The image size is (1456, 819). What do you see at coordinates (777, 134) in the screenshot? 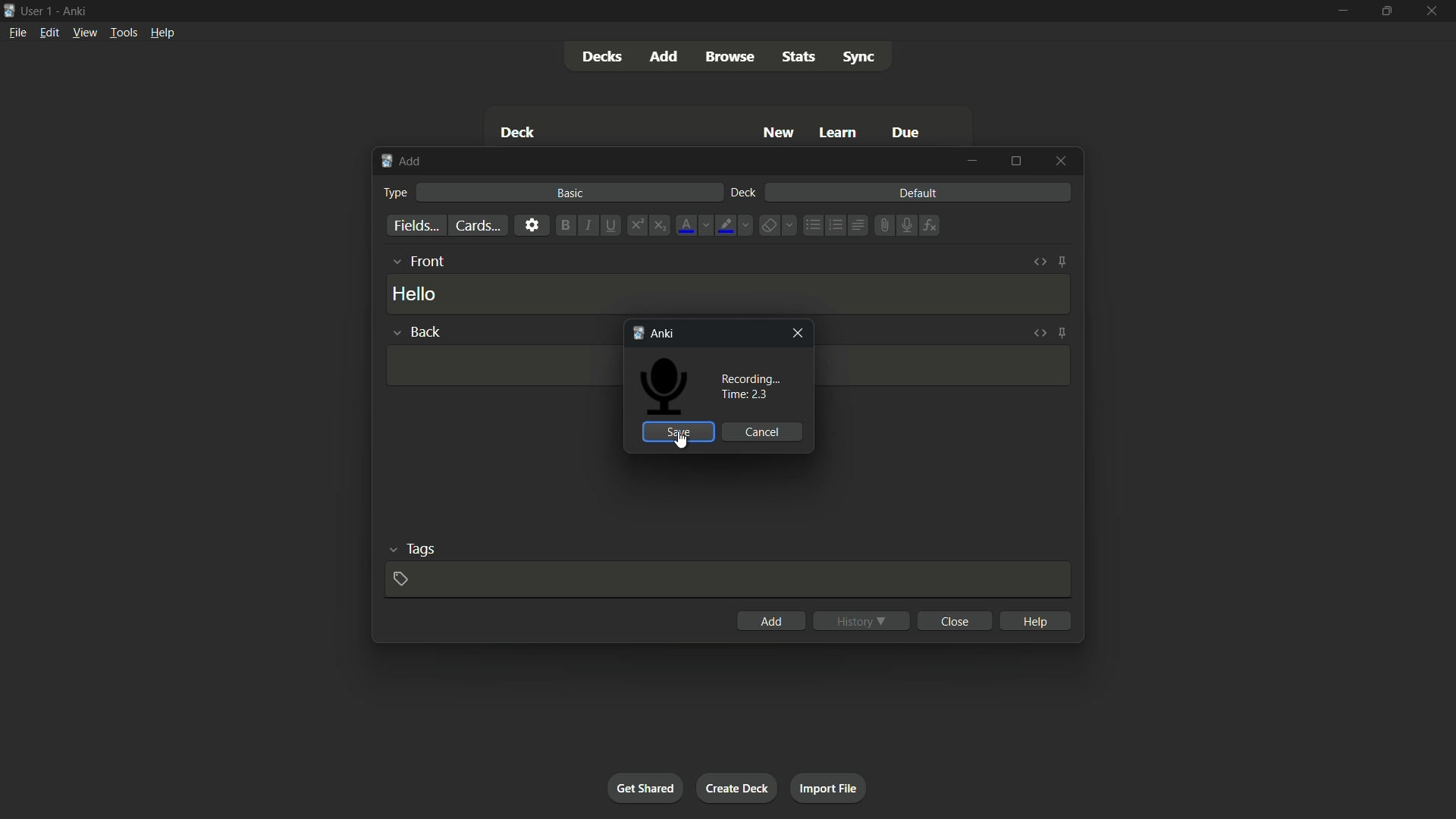
I see `new` at bounding box center [777, 134].